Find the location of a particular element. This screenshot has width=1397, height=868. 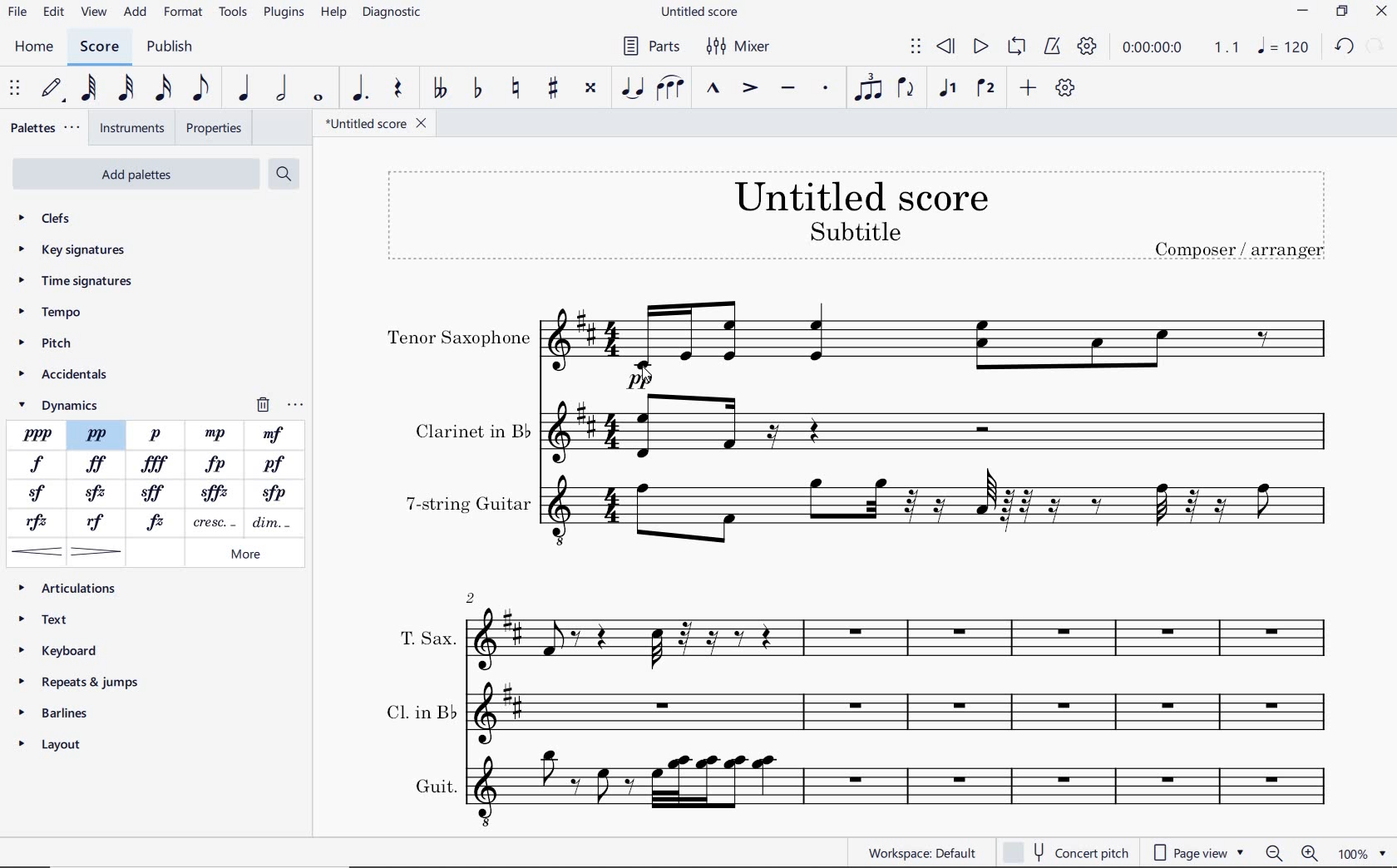

FF (FORTISSIMO) is located at coordinates (97, 465).